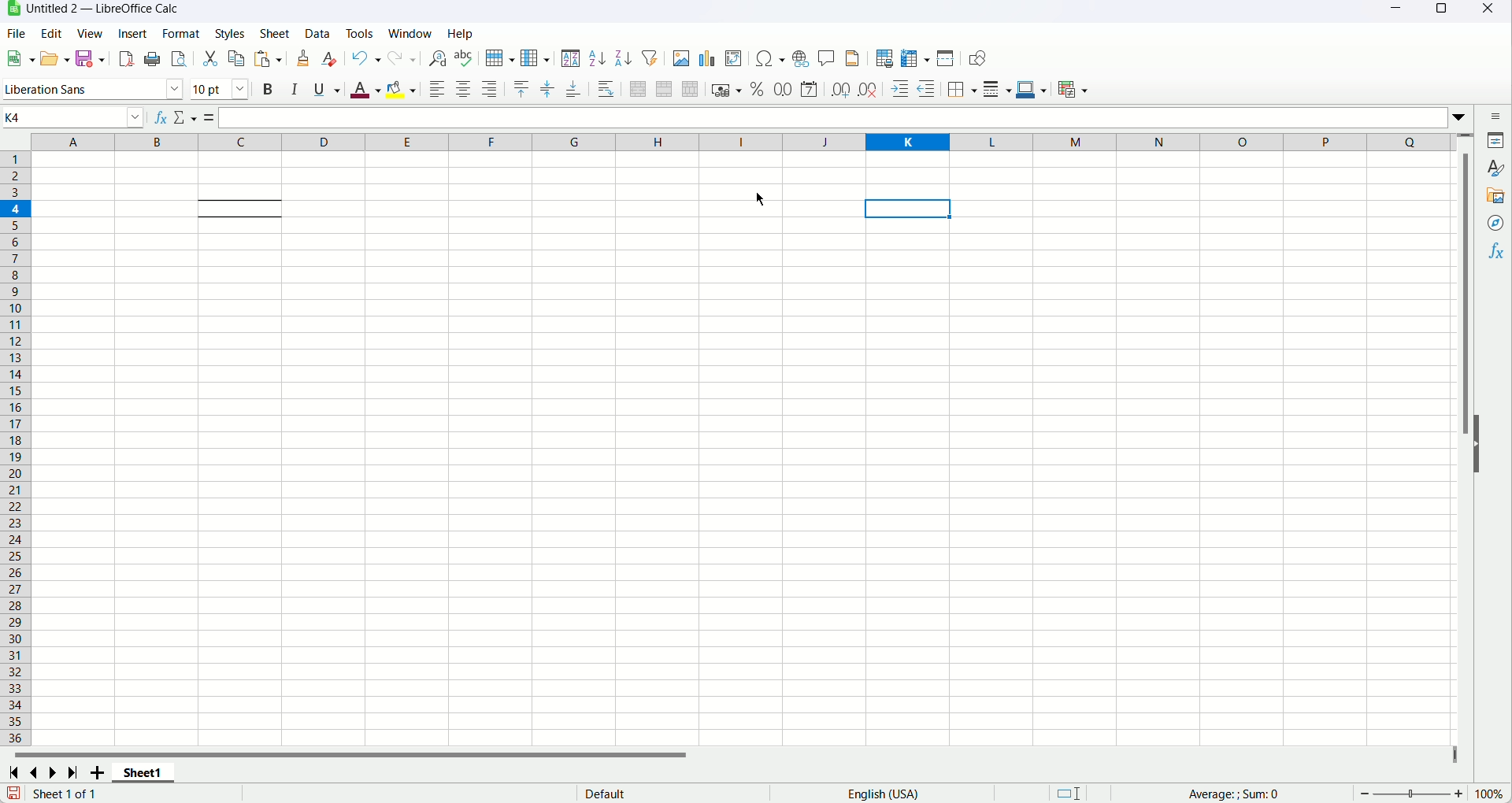  What do you see at coordinates (367, 57) in the screenshot?
I see `Undo` at bounding box center [367, 57].